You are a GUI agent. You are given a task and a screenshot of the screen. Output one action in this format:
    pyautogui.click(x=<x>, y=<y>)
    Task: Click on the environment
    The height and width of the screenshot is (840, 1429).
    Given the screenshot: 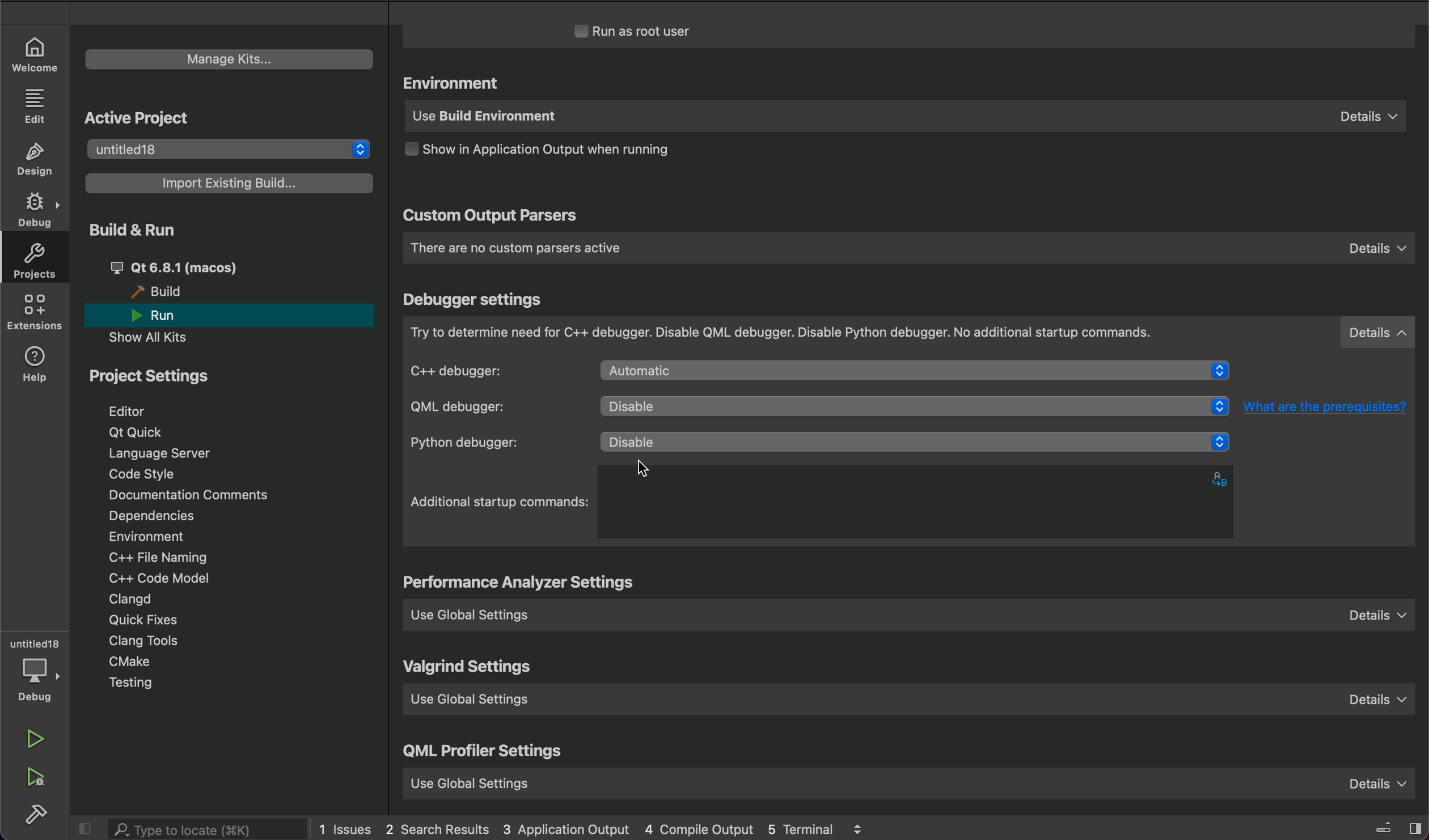 What is the action you would take?
    pyautogui.click(x=146, y=536)
    